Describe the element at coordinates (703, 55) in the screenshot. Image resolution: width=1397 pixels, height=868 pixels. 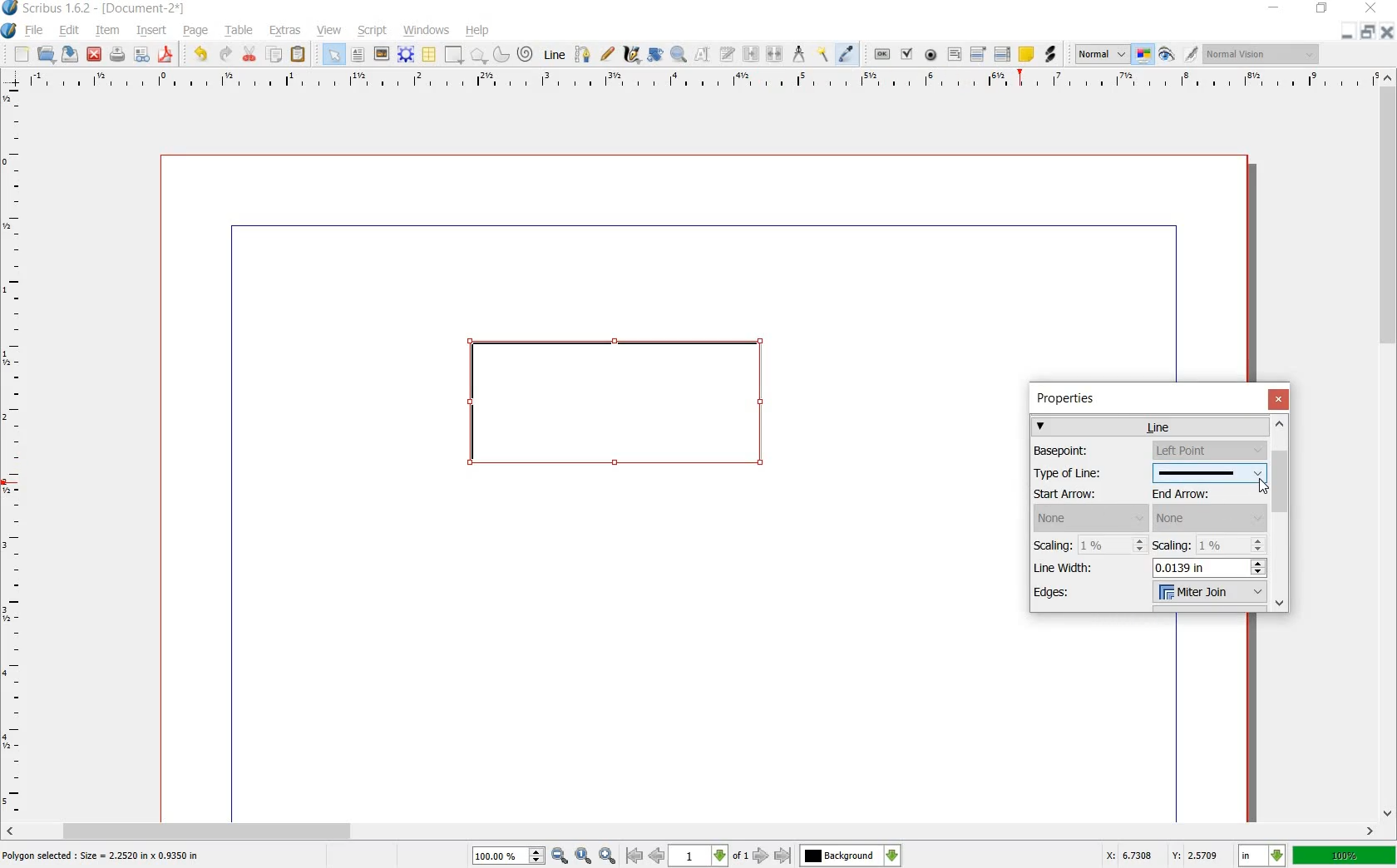
I see `EDIT CONTENTS OF FRAME` at that location.